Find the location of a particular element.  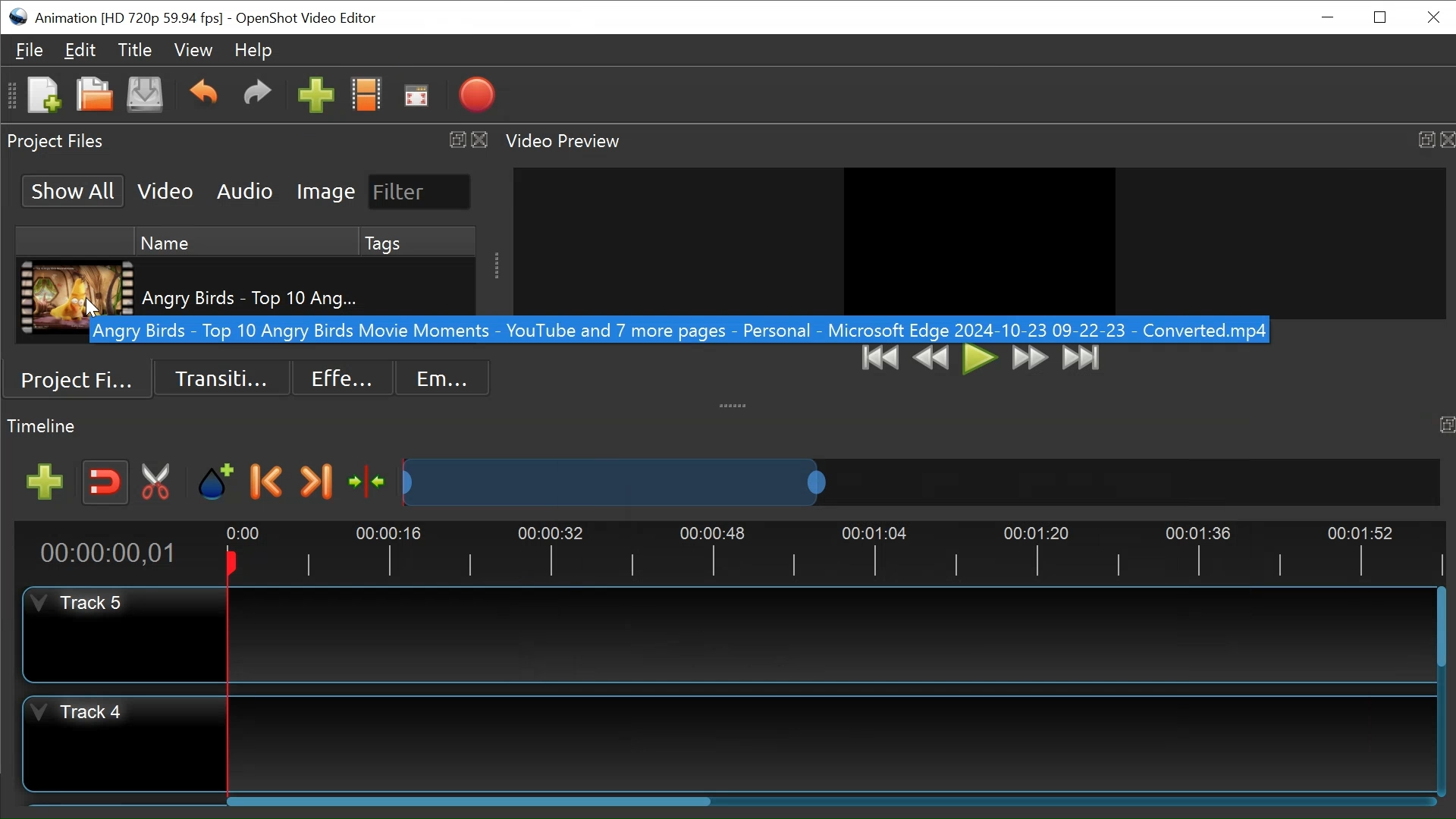

Undo is located at coordinates (202, 93).